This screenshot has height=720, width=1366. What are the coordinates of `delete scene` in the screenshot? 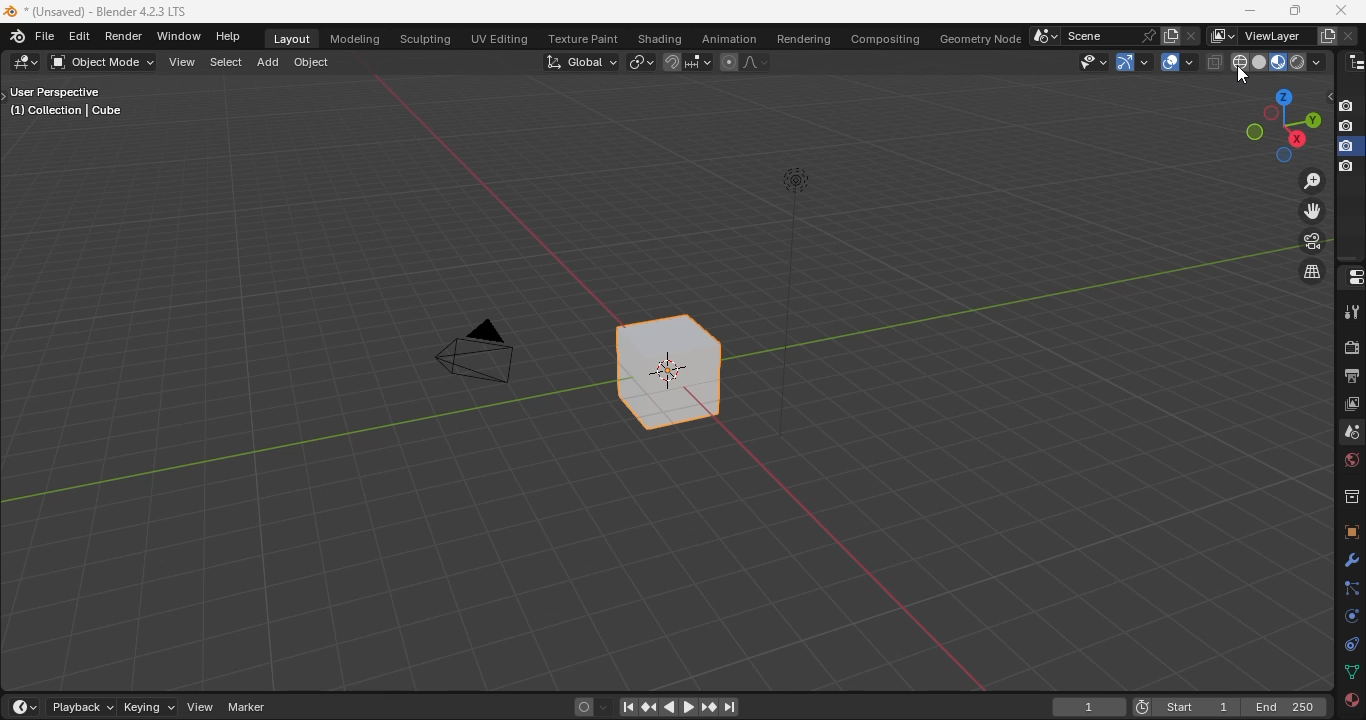 It's located at (1194, 35).